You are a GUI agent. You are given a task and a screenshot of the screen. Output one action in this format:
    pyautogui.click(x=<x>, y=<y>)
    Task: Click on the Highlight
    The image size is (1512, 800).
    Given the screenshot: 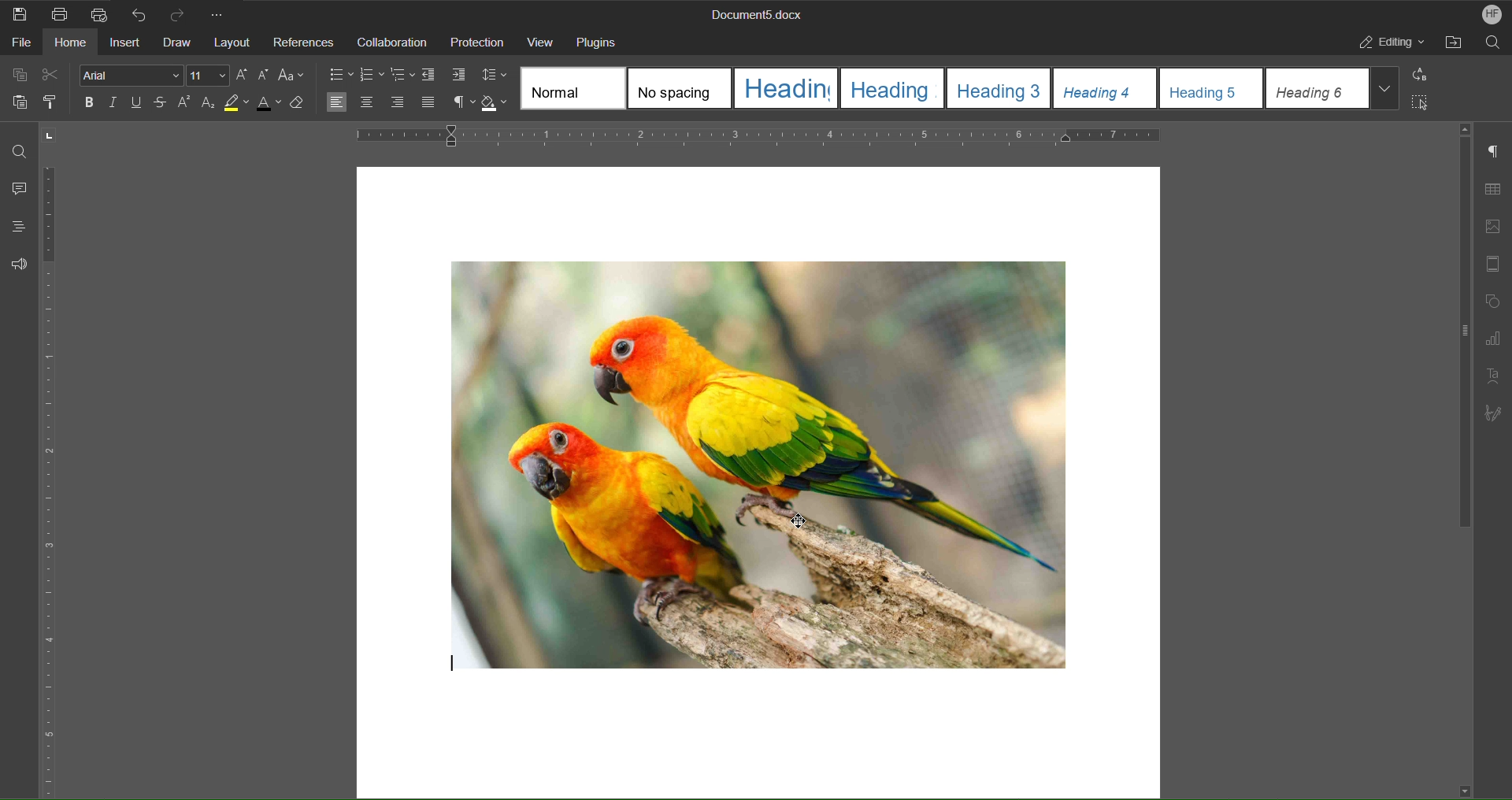 What is the action you would take?
    pyautogui.click(x=240, y=106)
    